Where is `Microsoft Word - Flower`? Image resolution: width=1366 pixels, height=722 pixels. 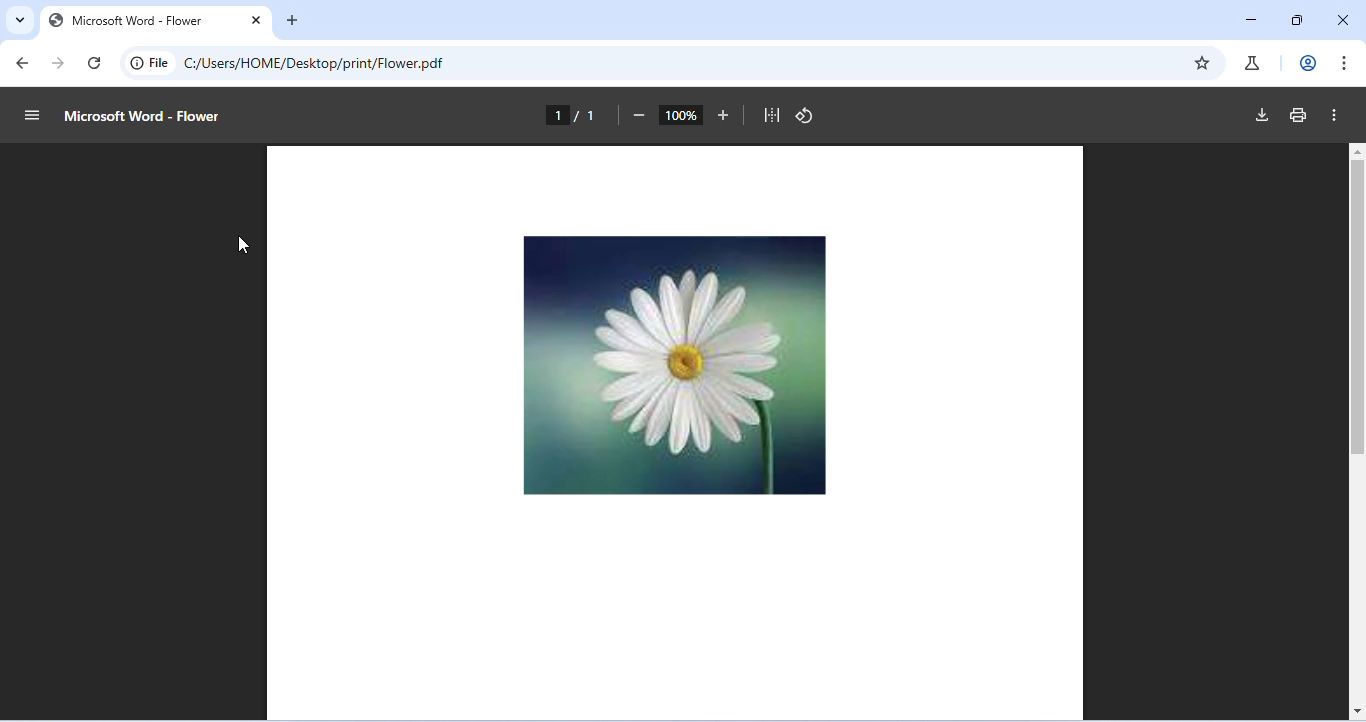 Microsoft Word - Flower is located at coordinates (145, 119).